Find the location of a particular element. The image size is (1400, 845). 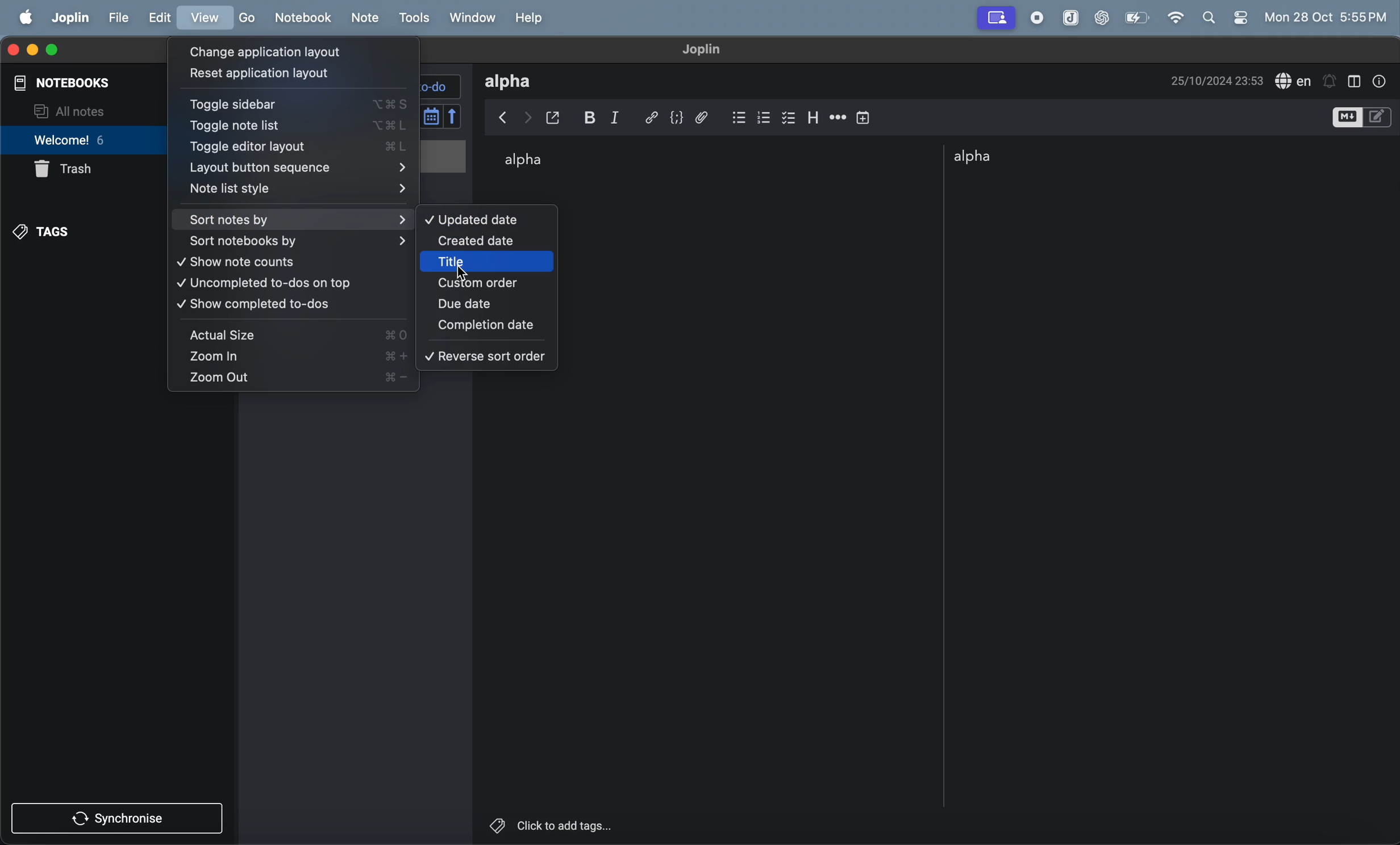

horrizontal lines is located at coordinates (838, 117).